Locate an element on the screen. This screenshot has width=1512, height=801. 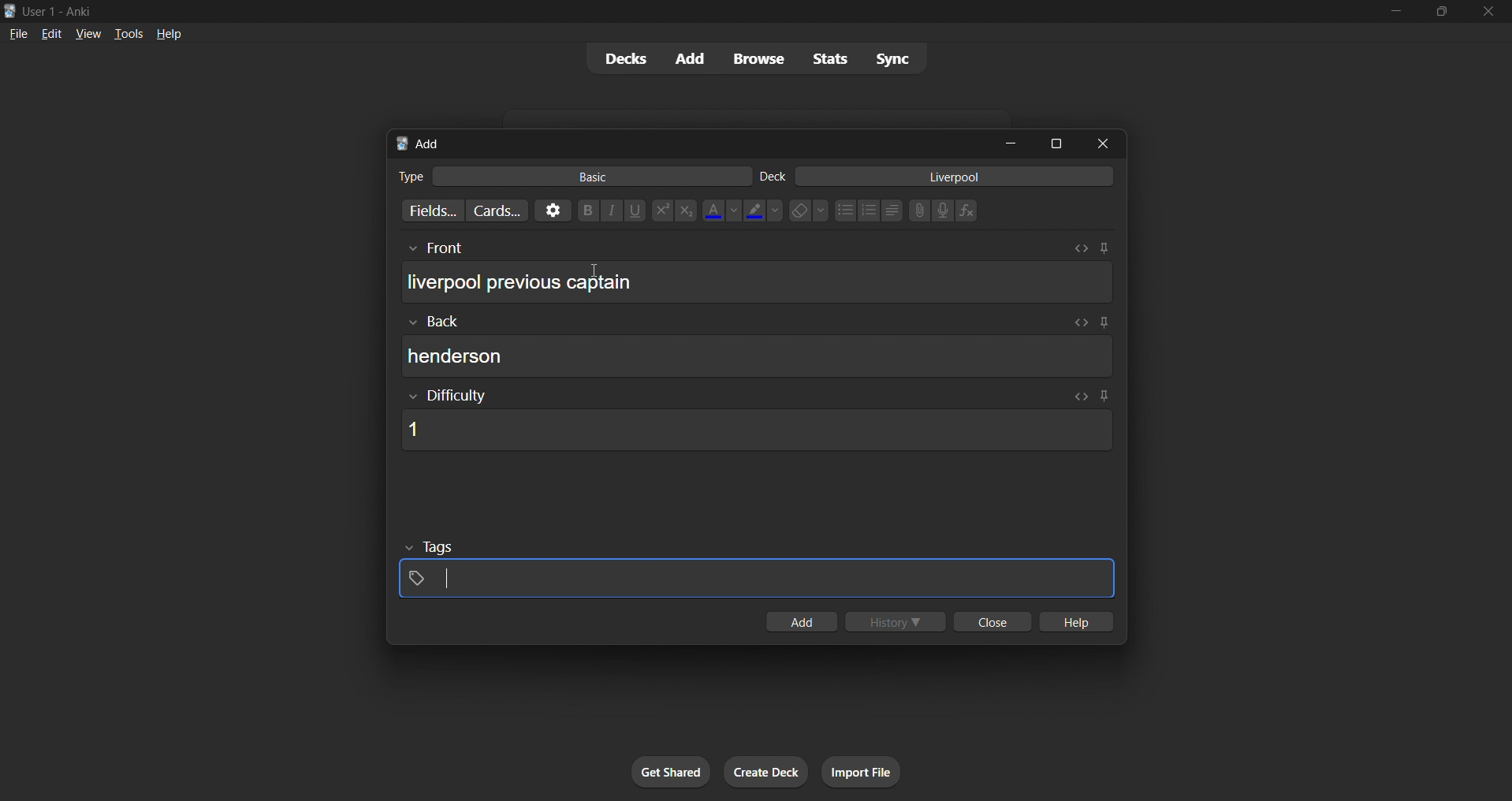
multilevel list is located at coordinates (893, 212).